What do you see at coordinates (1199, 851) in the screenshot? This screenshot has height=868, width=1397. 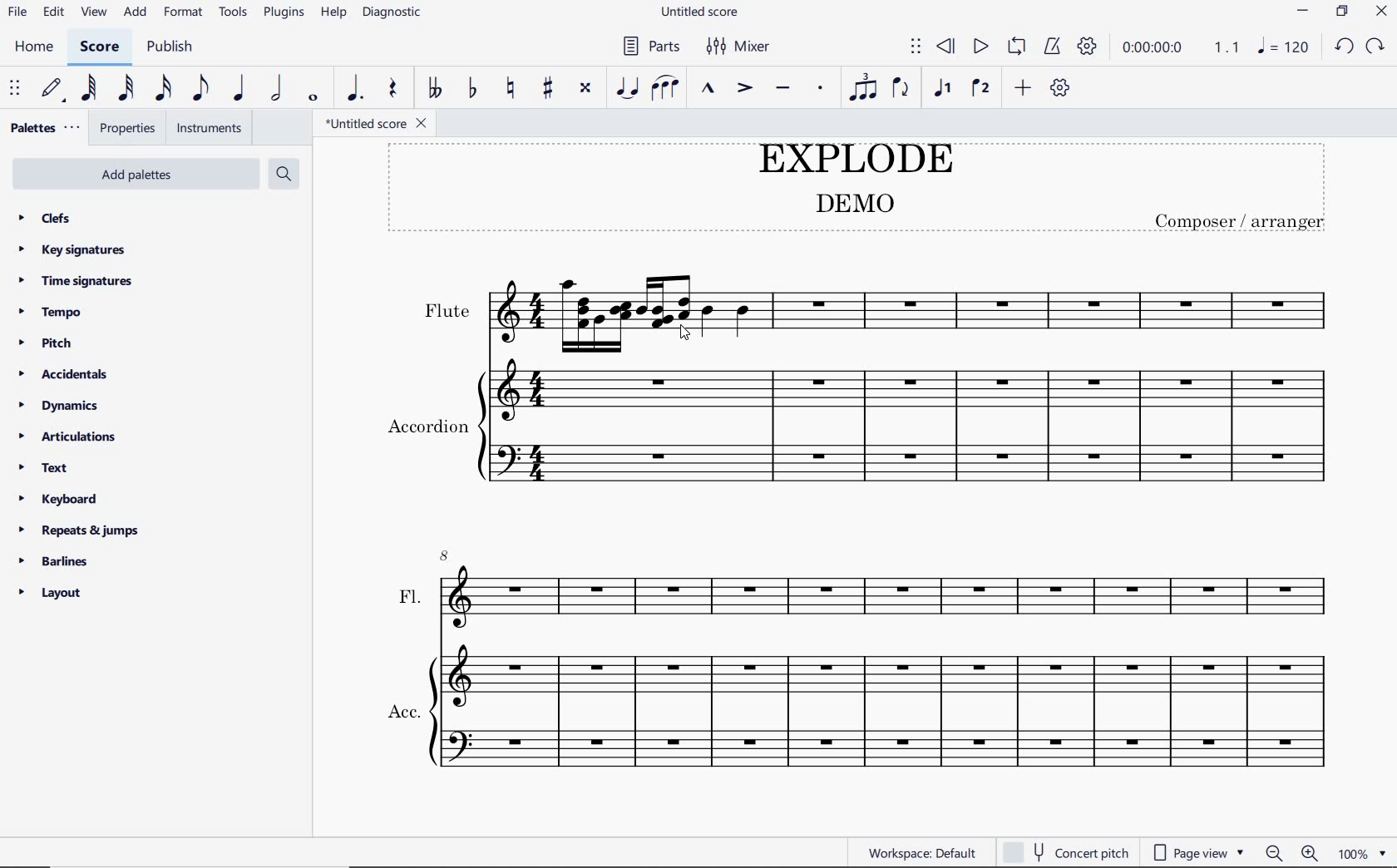 I see `page view` at bounding box center [1199, 851].